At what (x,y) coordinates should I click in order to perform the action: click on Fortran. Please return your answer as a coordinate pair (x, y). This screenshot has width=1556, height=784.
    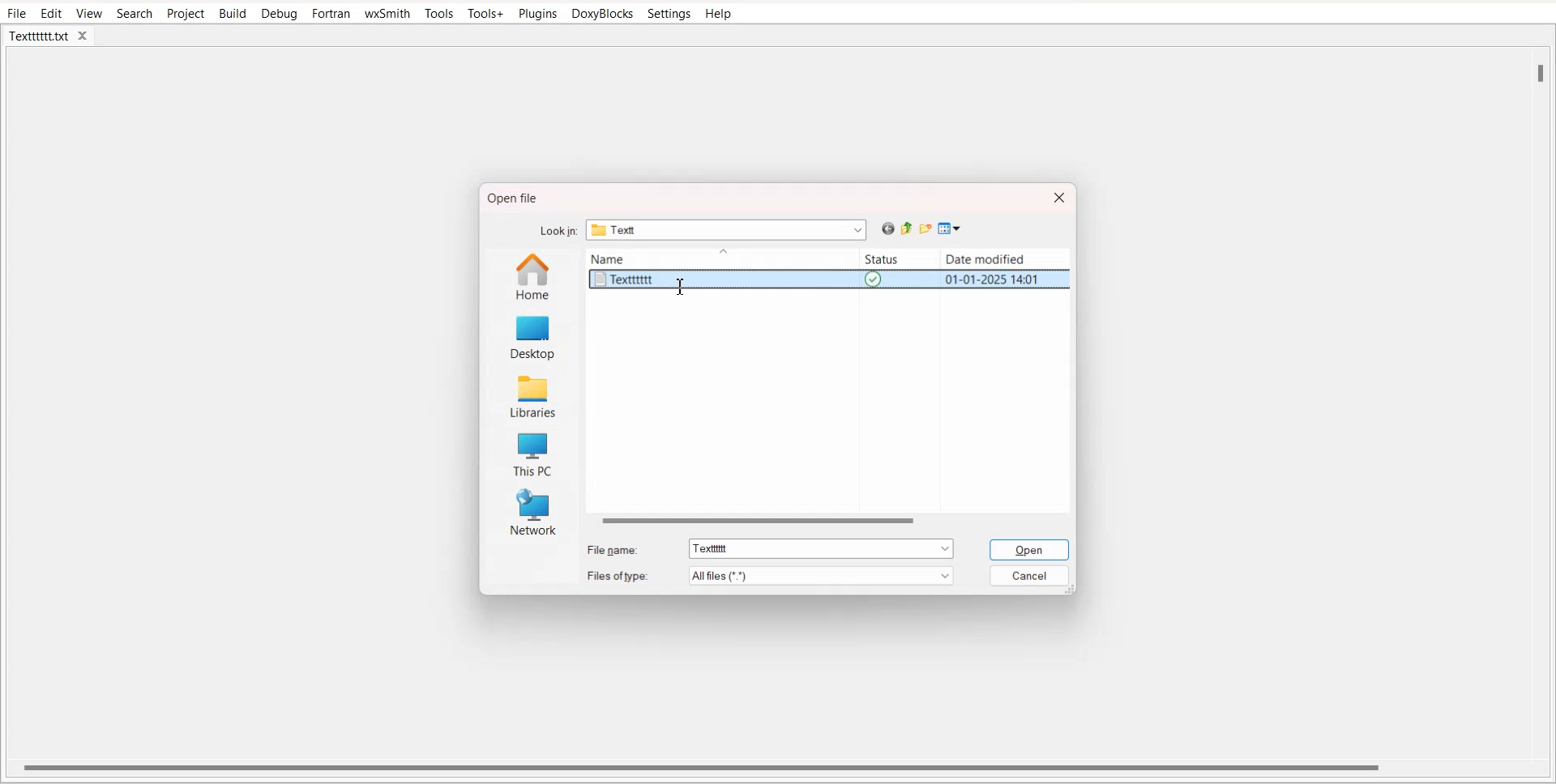
    Looking at the image, I should click on (331, 13).